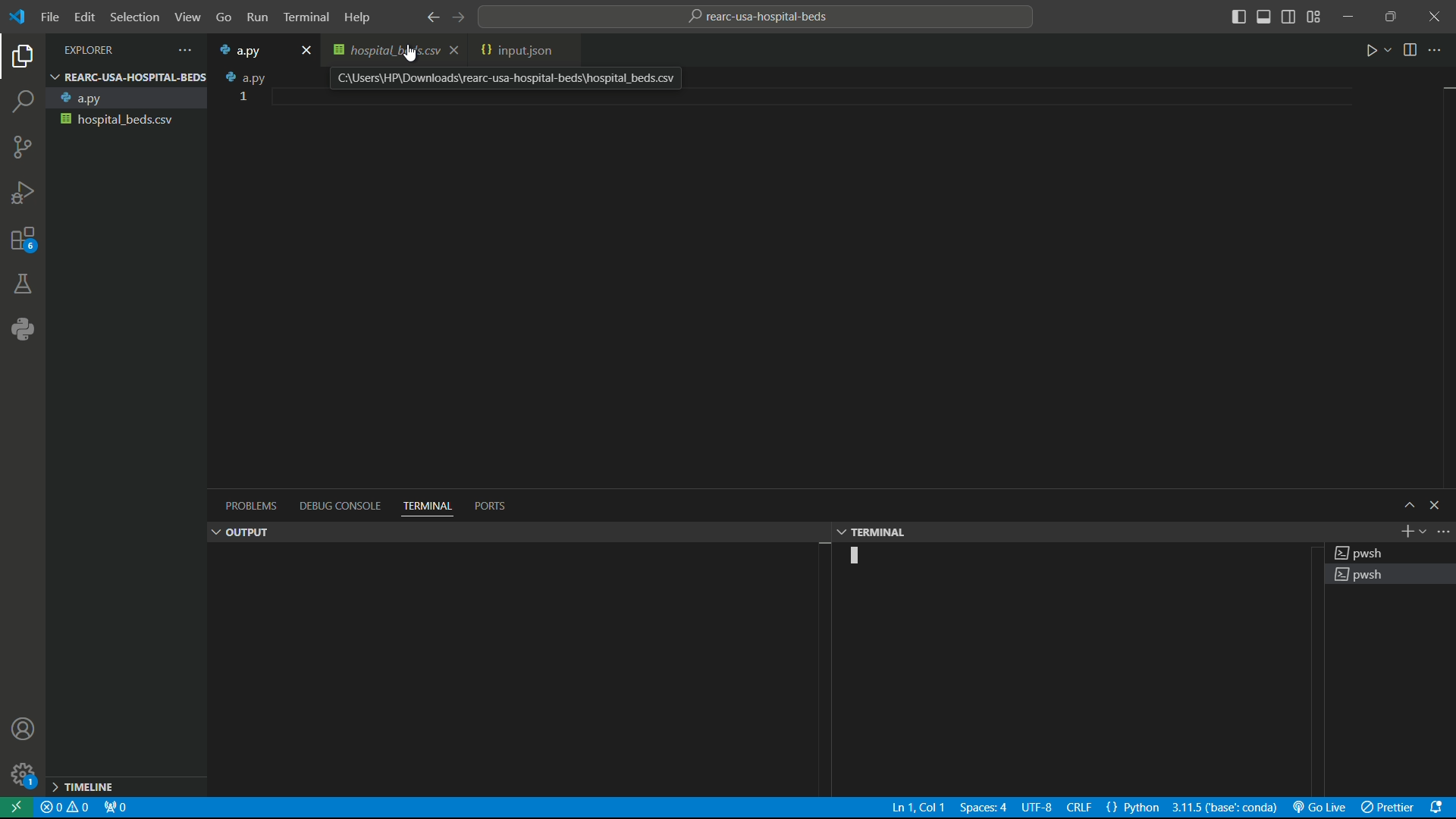 Image resolution: width=1456 pixels, height=819 pixels. What do you see at coordinates (516, 671) in the screenshot?
I see `output panel` at bounding box center [516, 671].